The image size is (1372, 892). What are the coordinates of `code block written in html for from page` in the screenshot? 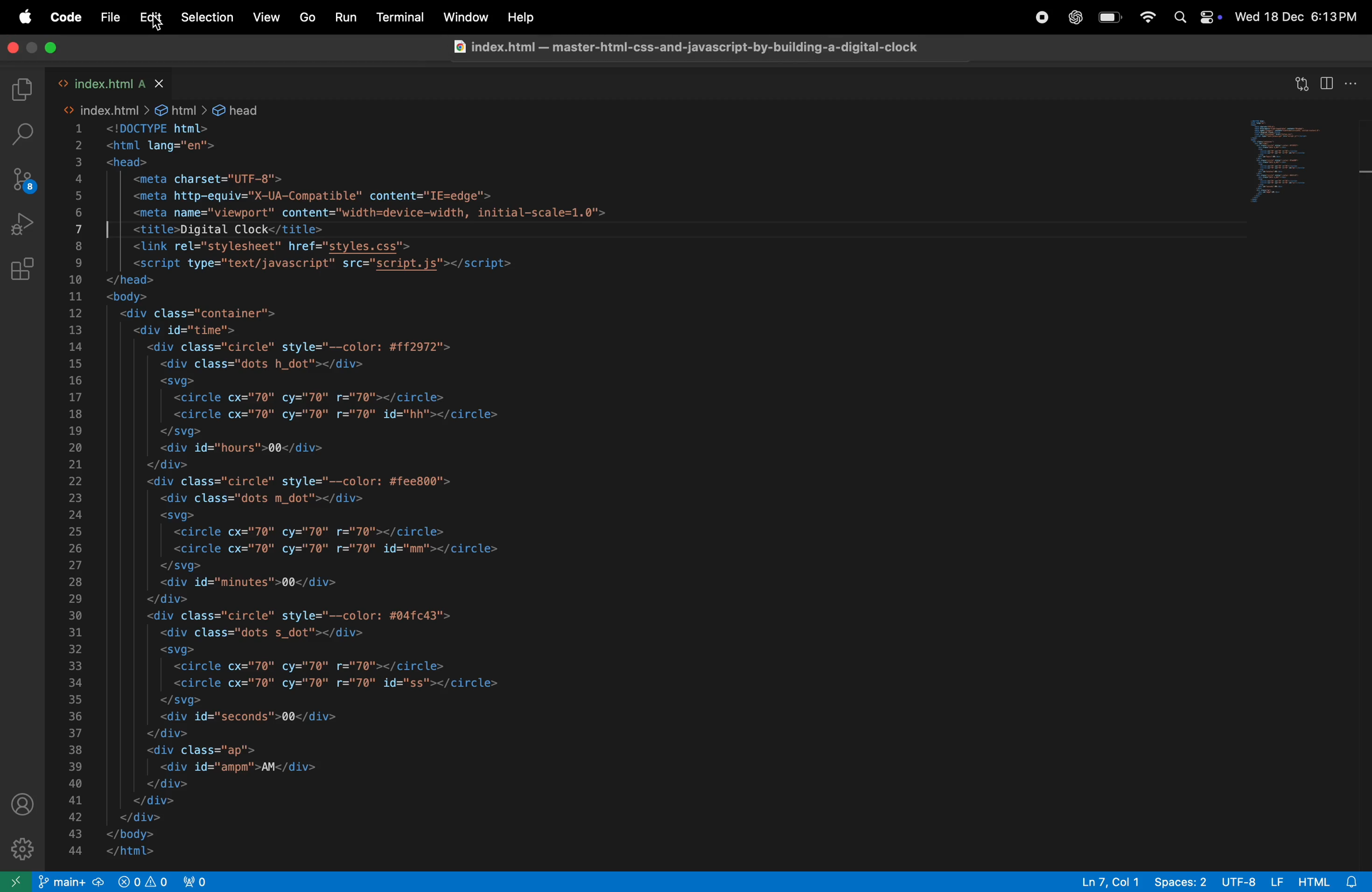 It's located at (480, 462).